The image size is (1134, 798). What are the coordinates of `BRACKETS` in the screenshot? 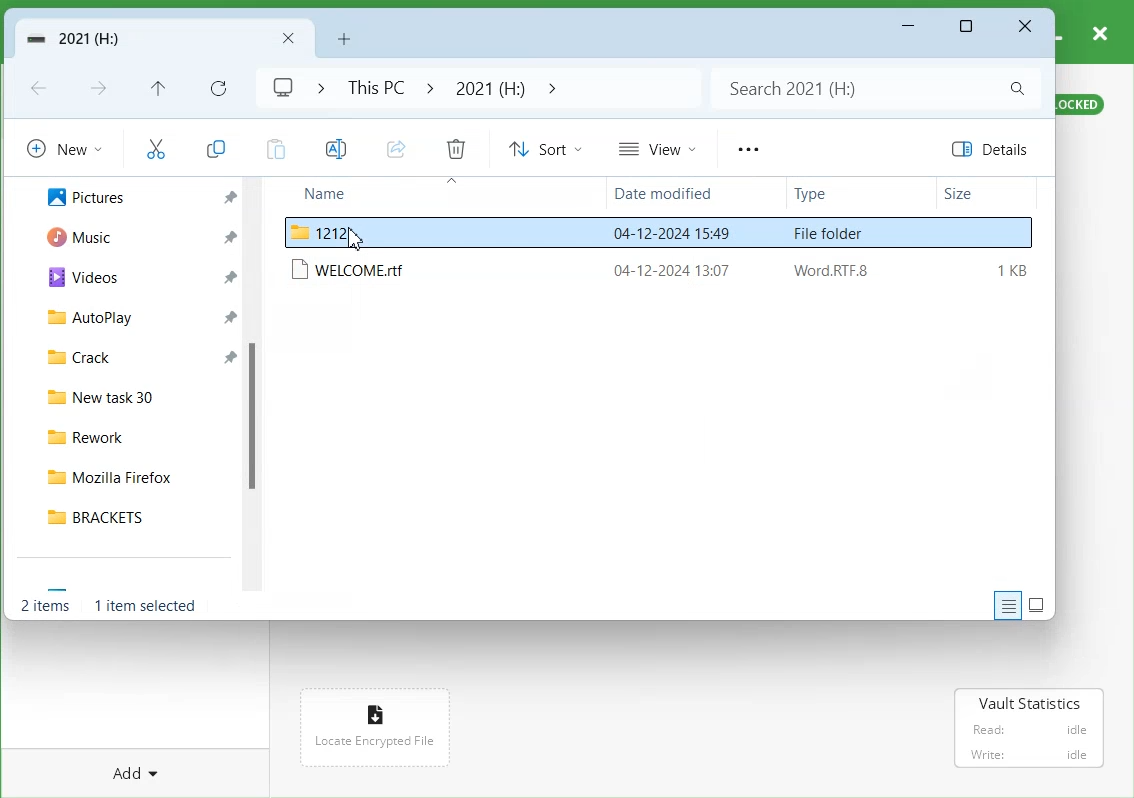 It's located at (135, 516).